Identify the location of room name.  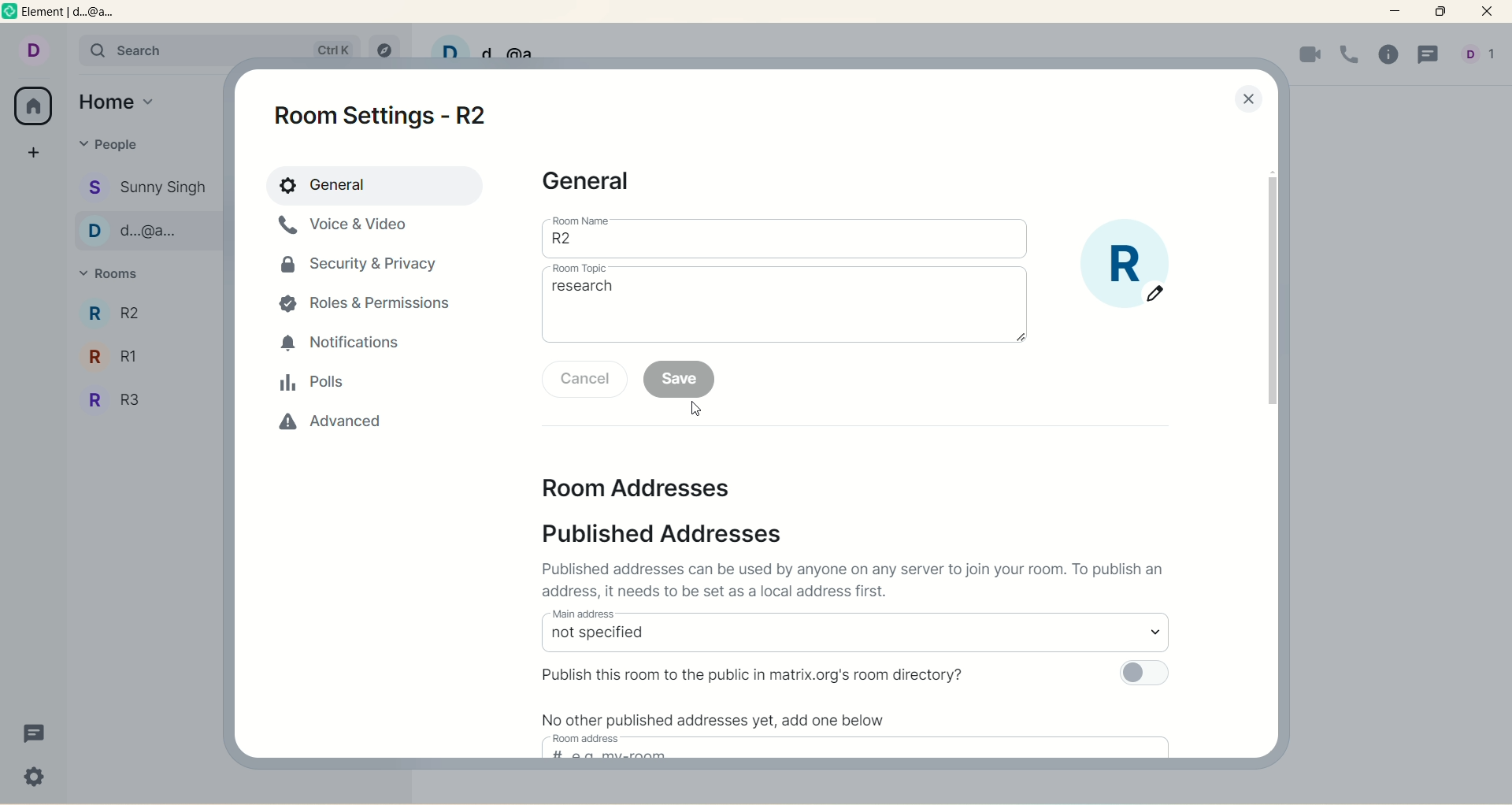
(785, 245).